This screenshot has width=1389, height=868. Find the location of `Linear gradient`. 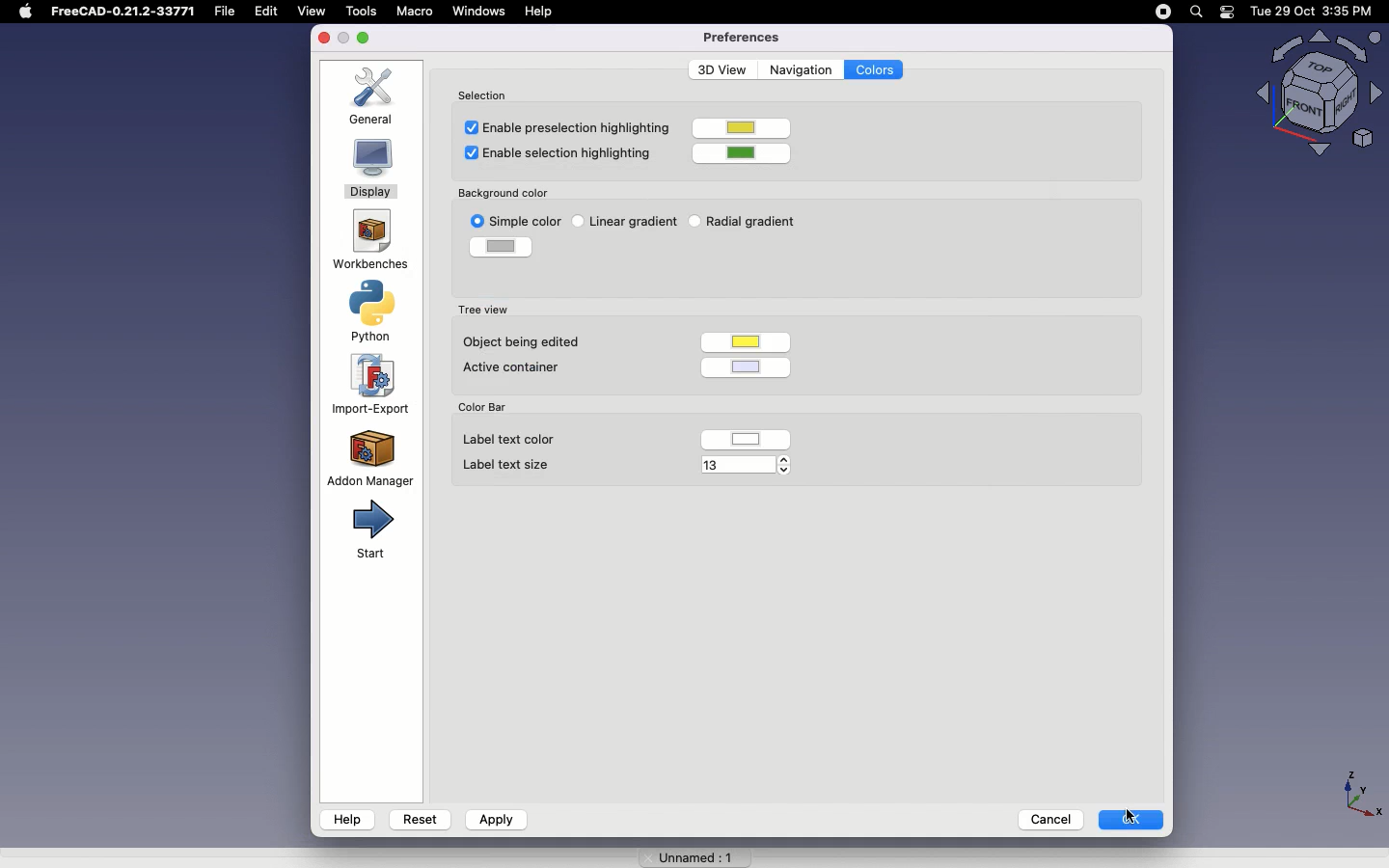

Linear gradient is located at coordinates (639, 220).